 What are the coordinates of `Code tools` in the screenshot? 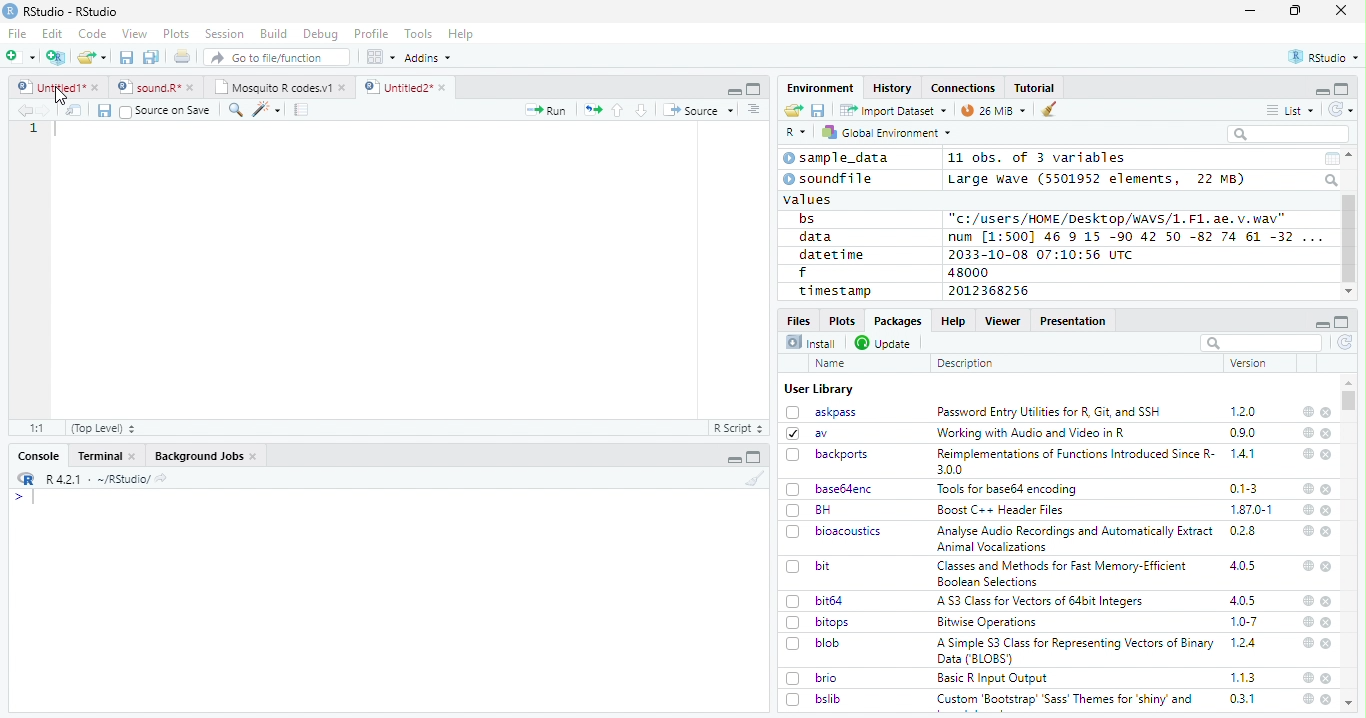 It's located at (265, 109).